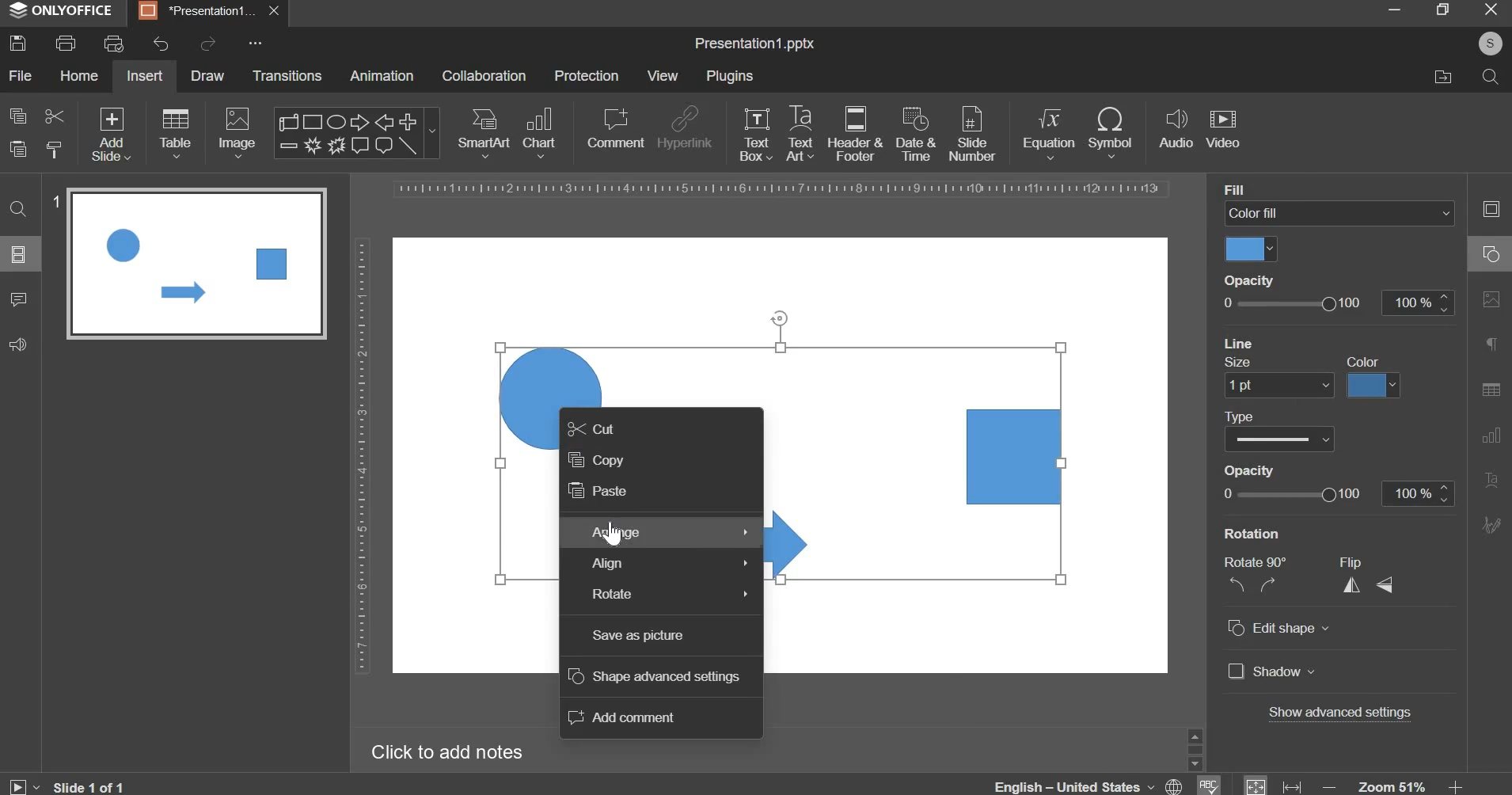  Describe the element at coordinates (1340, 214) in the screenshot. I see `background fill` at that location.